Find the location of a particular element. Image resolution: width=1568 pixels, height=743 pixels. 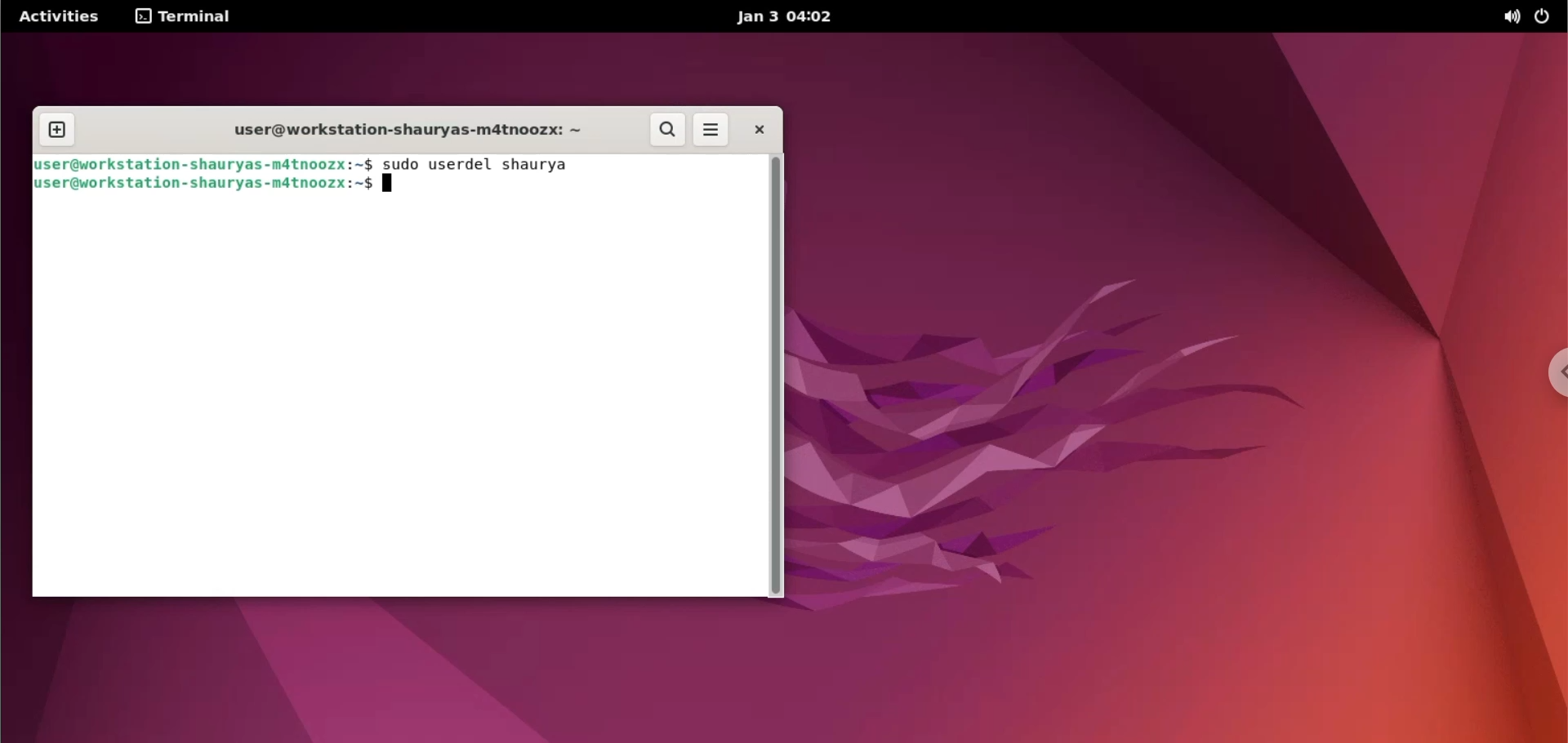

user@workstation-shauryas-m4tnoozx:~$  is located at coordinates (207, 162).